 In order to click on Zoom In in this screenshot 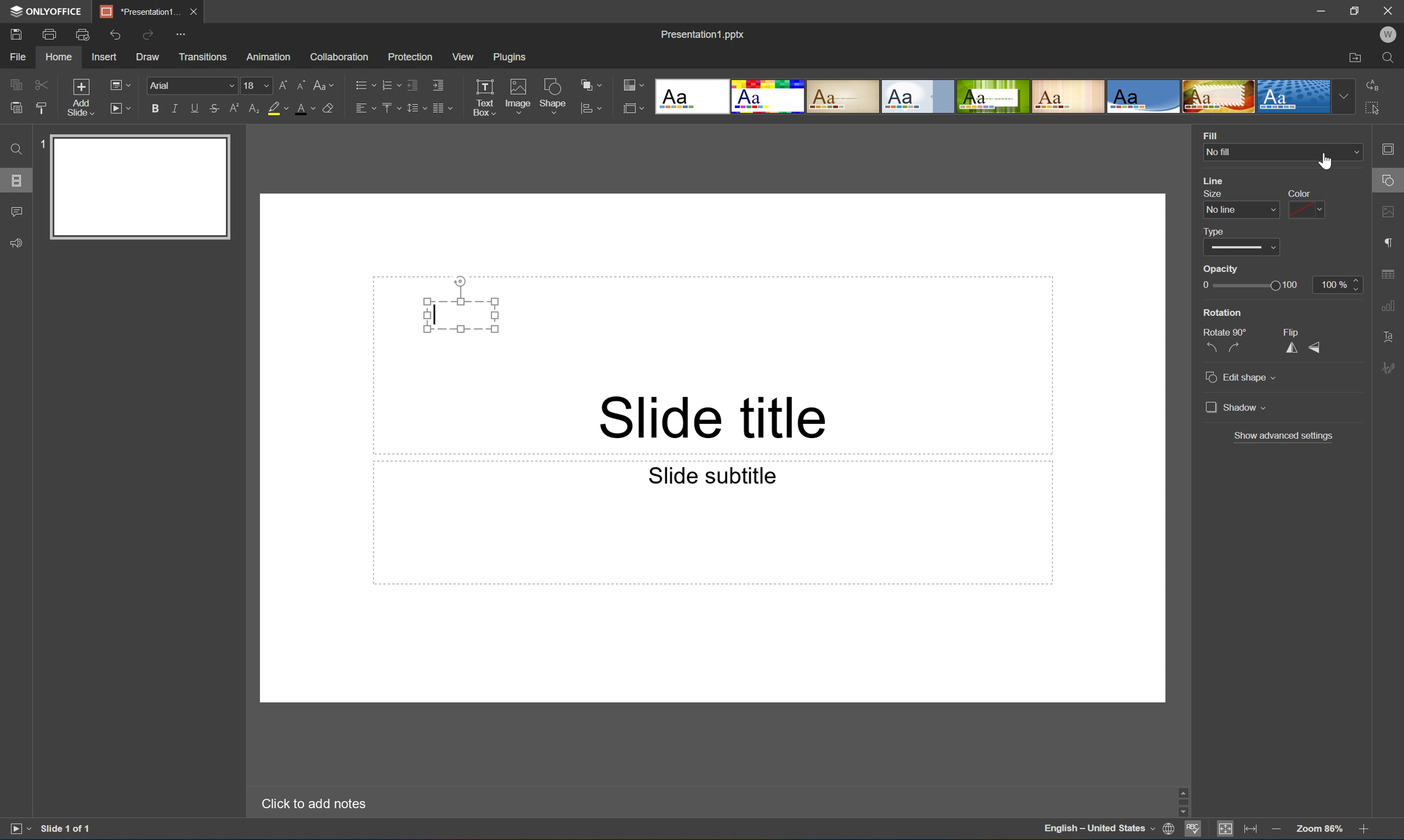, I will do `click(1363, 831)`.